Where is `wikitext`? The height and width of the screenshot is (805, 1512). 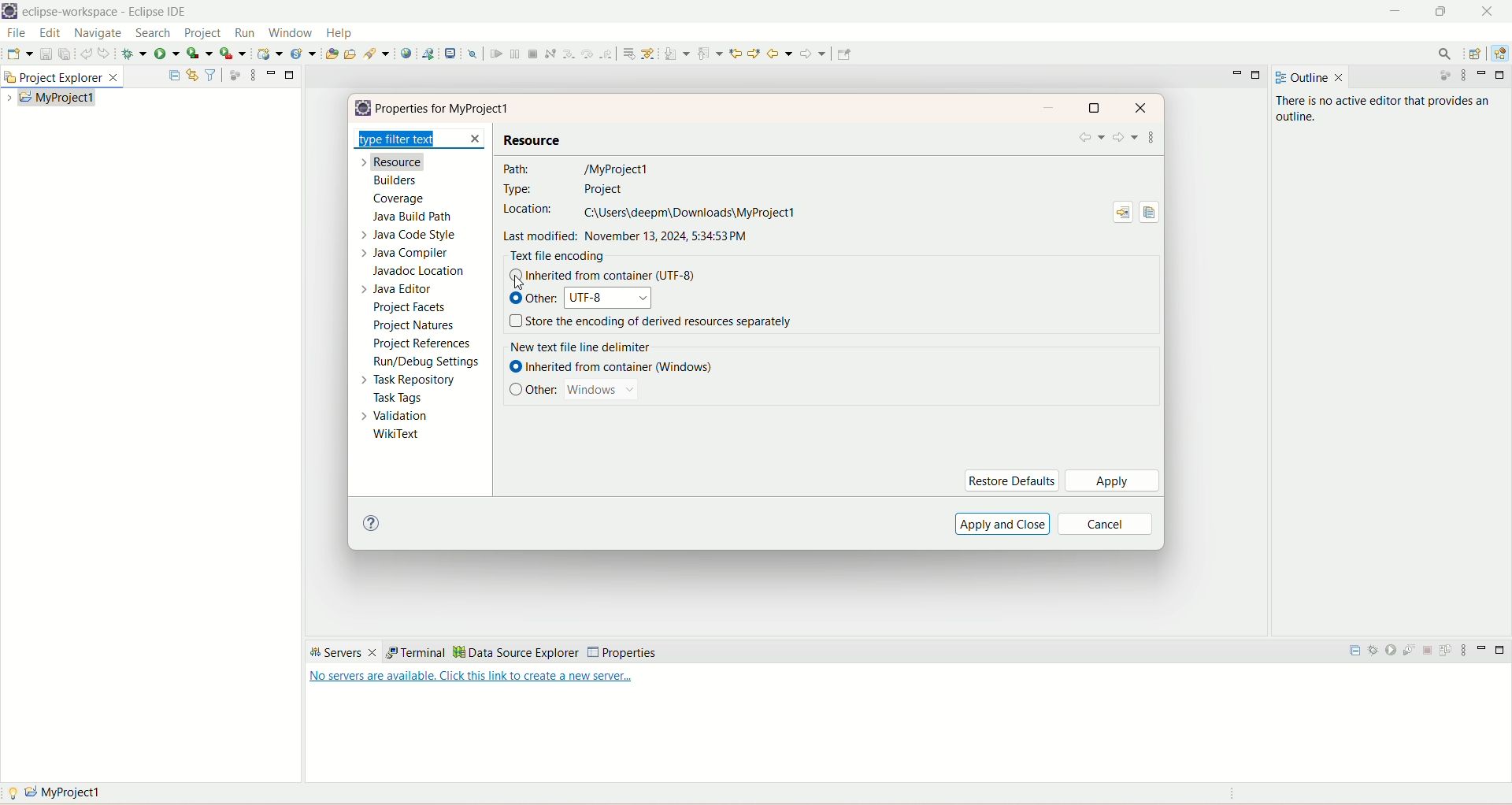 wikitext is located at coordinates (400, 435).